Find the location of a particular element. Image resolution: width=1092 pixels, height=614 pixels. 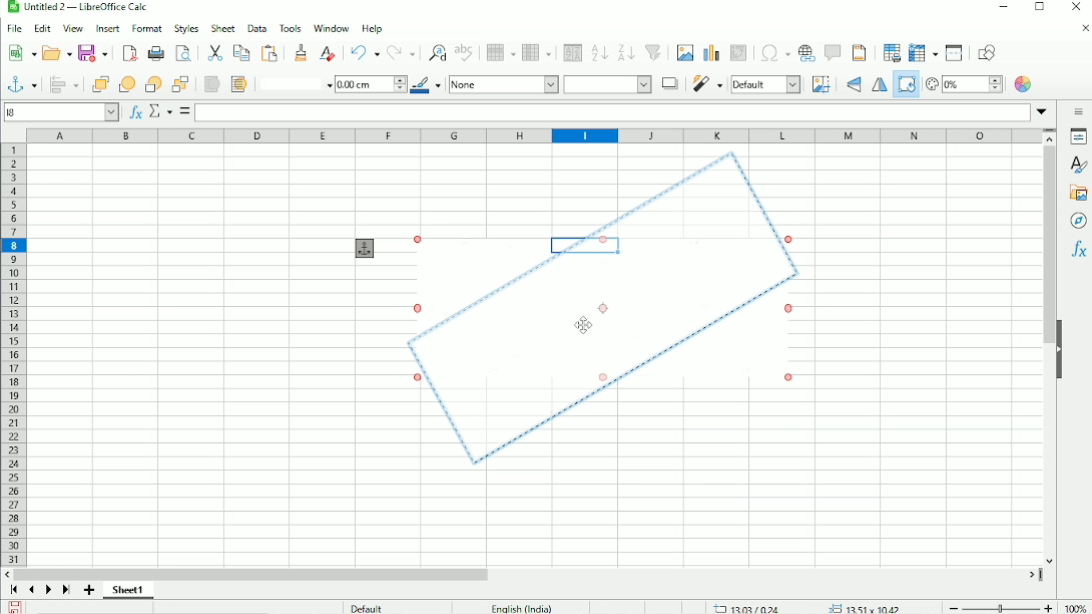

Redo is located at coordinates (401, 53).